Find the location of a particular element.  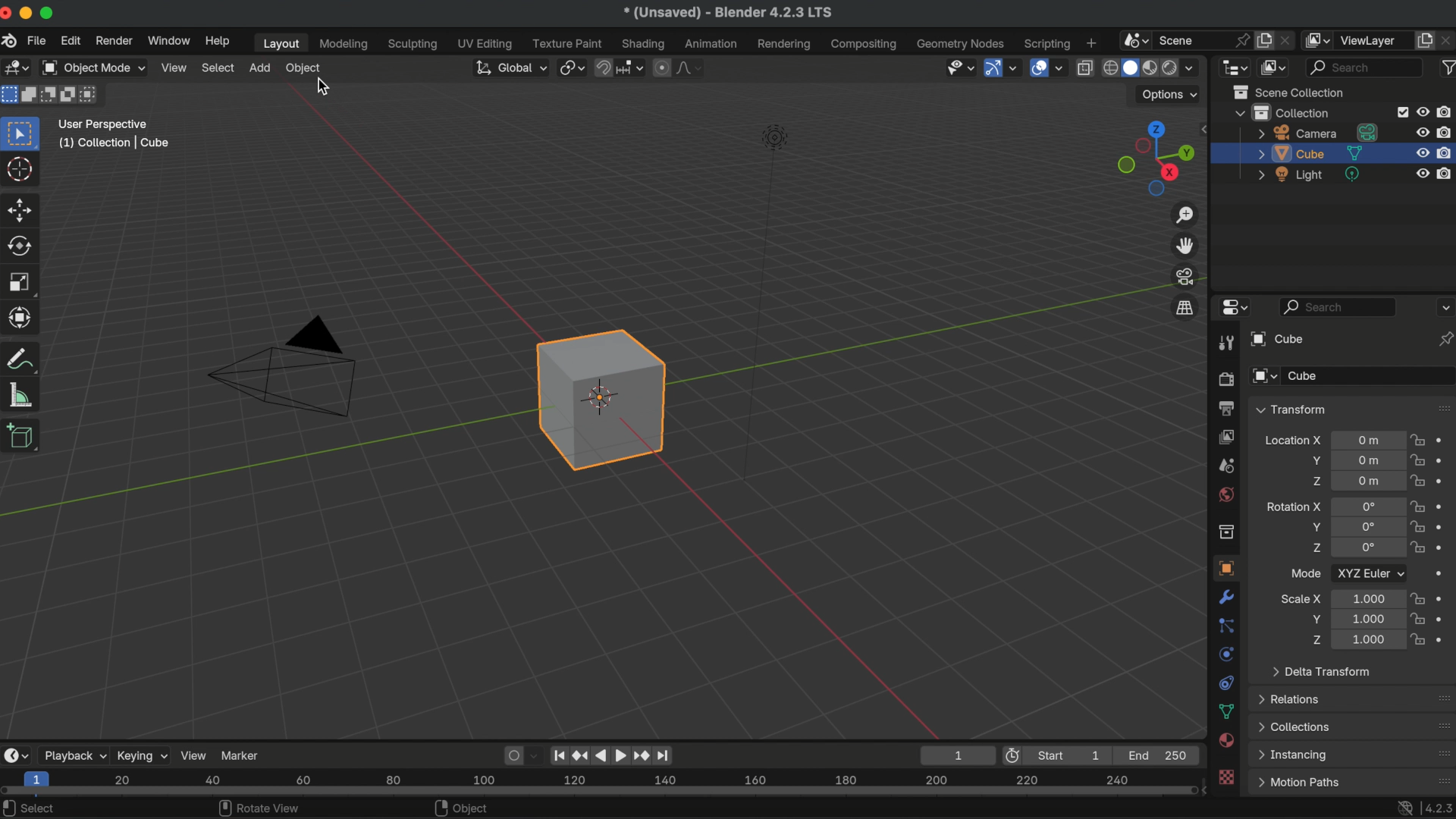

transform pivot point is located at coordinates (570, 65).